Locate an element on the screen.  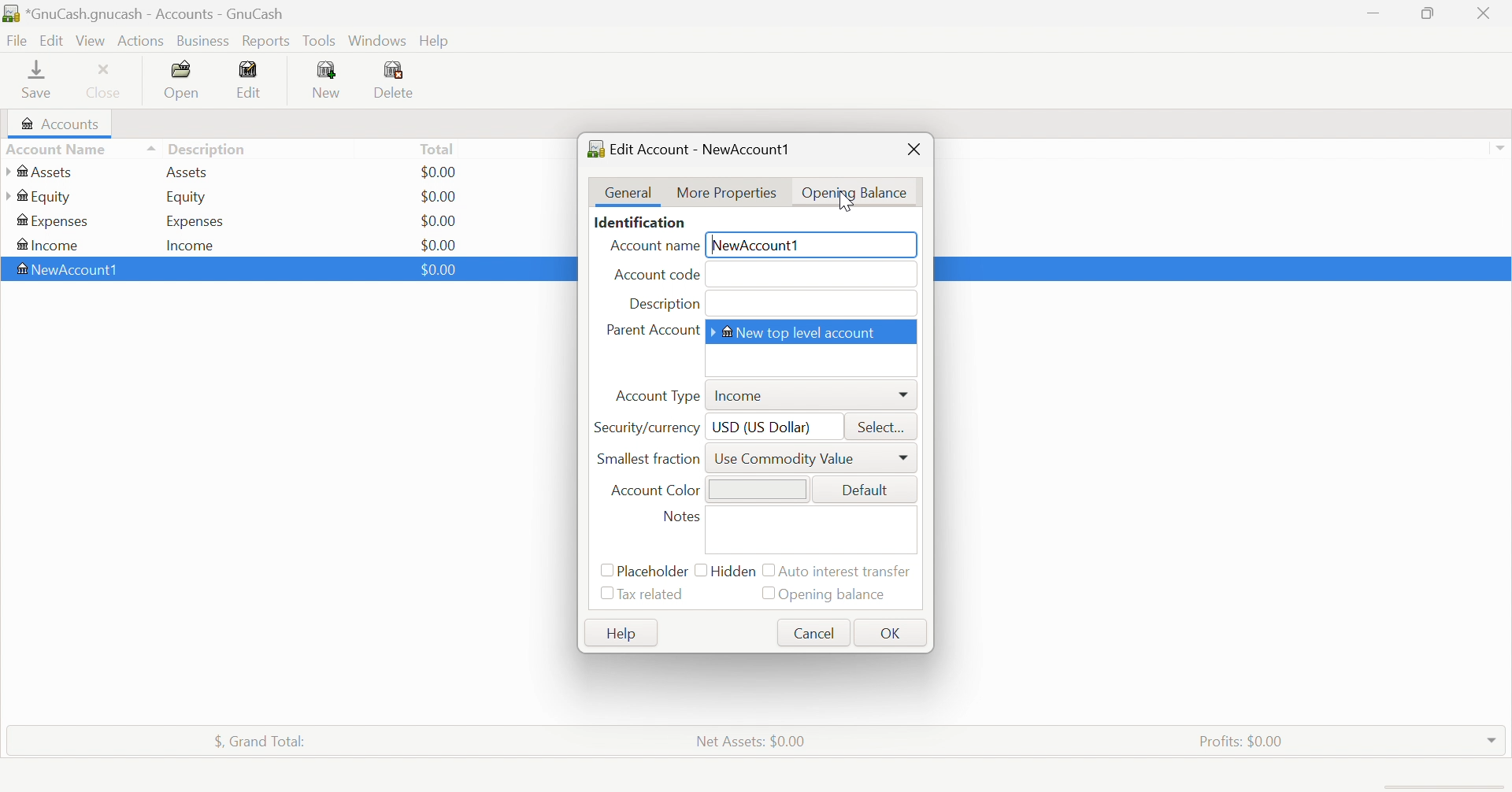
cursor is located at coordinates (848, 204).